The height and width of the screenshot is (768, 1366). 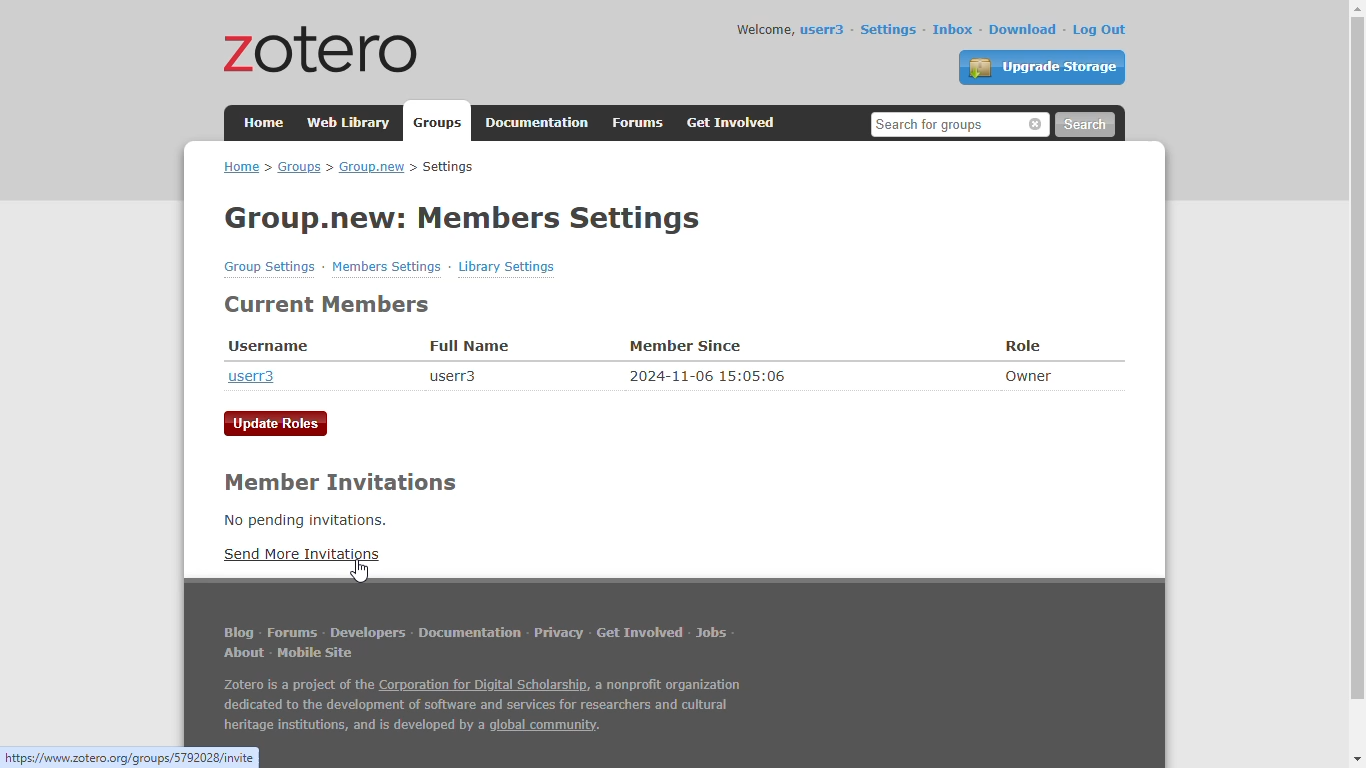 What do you see at coordinates (471, 633) in the screenshot?
I see `documentation` at bounding box center [471, 633].